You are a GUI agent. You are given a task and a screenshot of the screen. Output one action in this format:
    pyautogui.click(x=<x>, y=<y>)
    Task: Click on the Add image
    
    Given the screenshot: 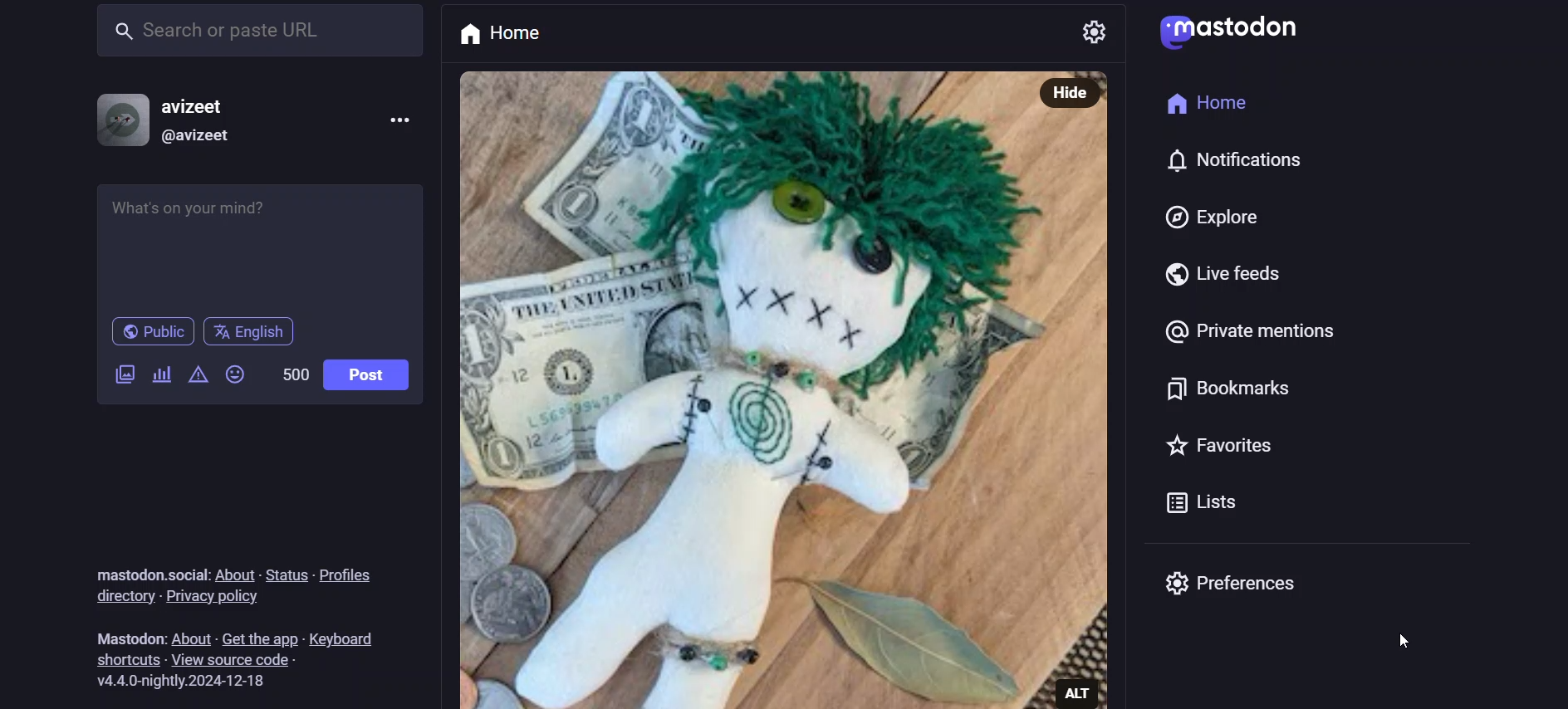 What is the action you would take?
    pyautogui.click(x=124, y=372)
    